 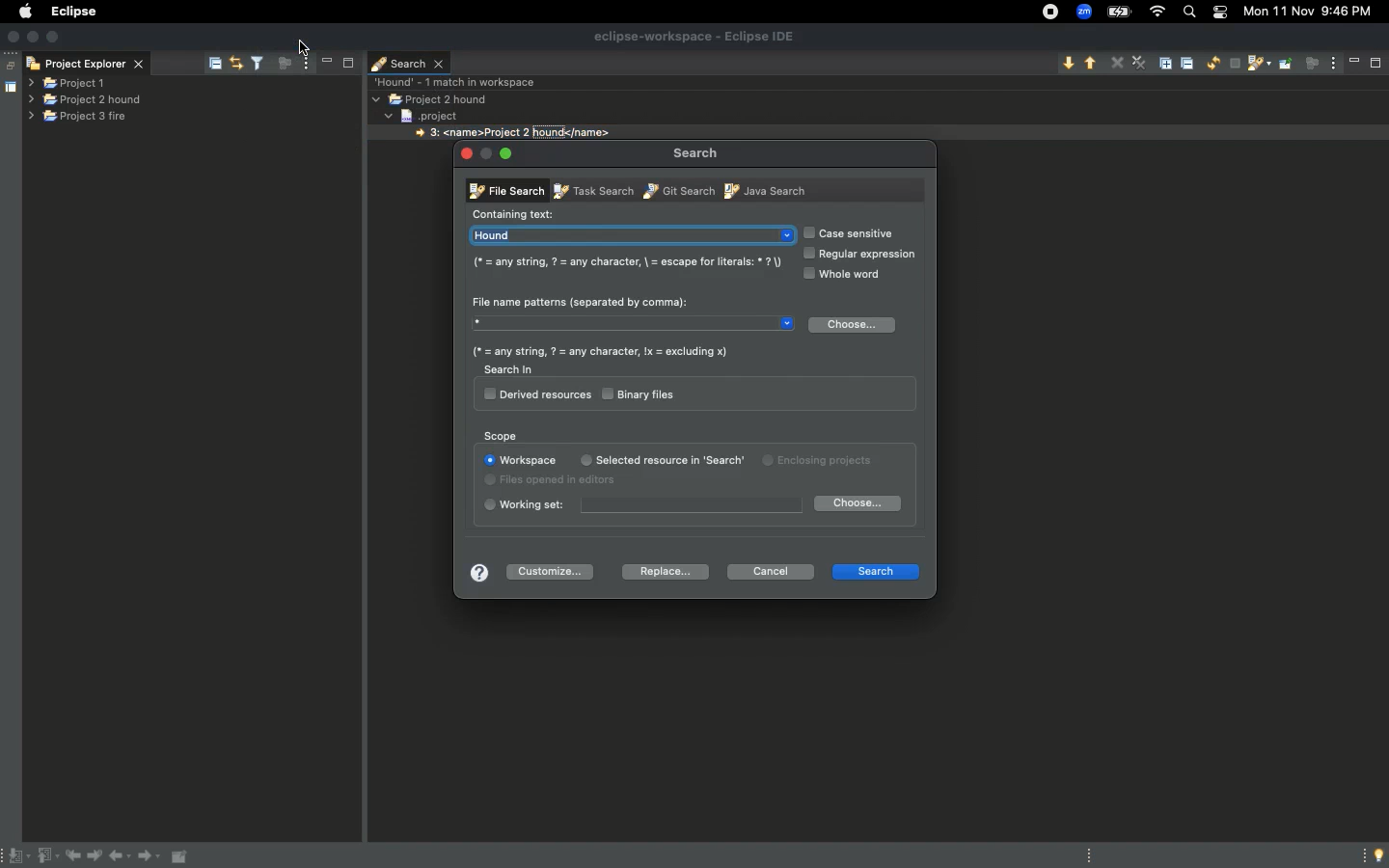 I want to click on (* = any string, 7 = any character, \ = escape for literals: * 7), so click(x=624, y=262).